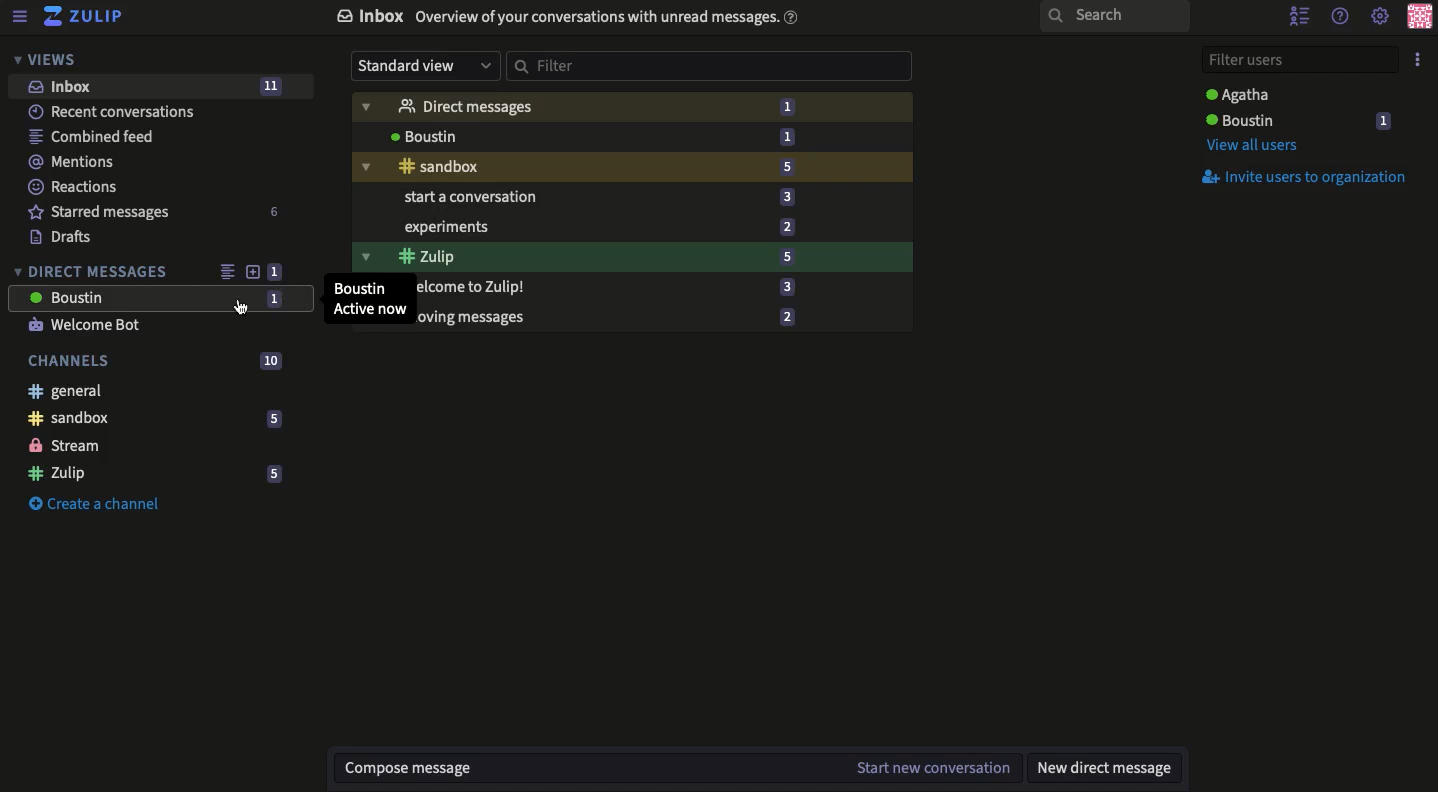 Image resolution: width=1438 pixels, height=792 pixels. I want to click on Boustin active now, so click(368, 299).